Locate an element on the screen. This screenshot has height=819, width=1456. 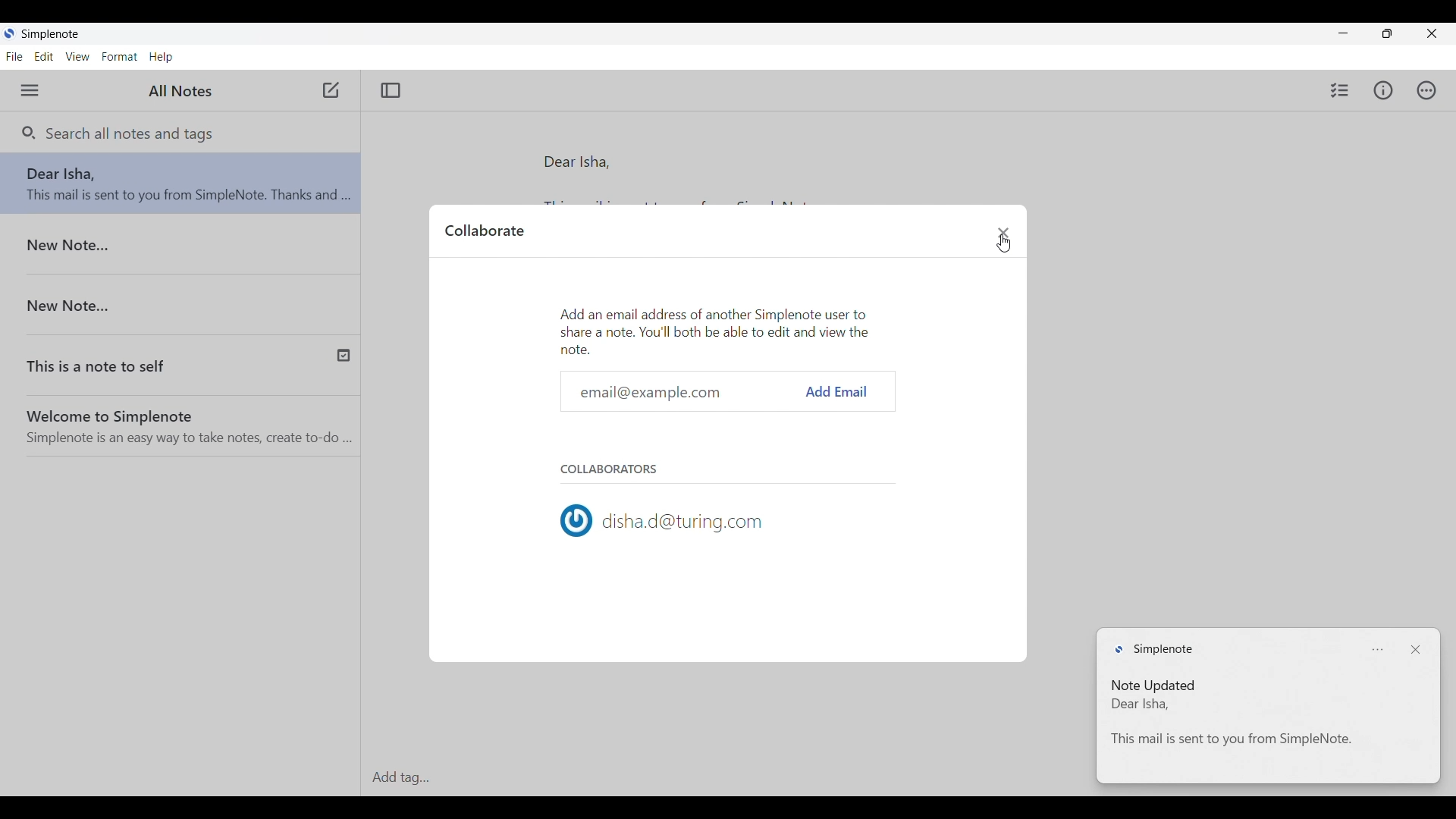
disha.d@turing.com  is located at coordinates (662, 521).